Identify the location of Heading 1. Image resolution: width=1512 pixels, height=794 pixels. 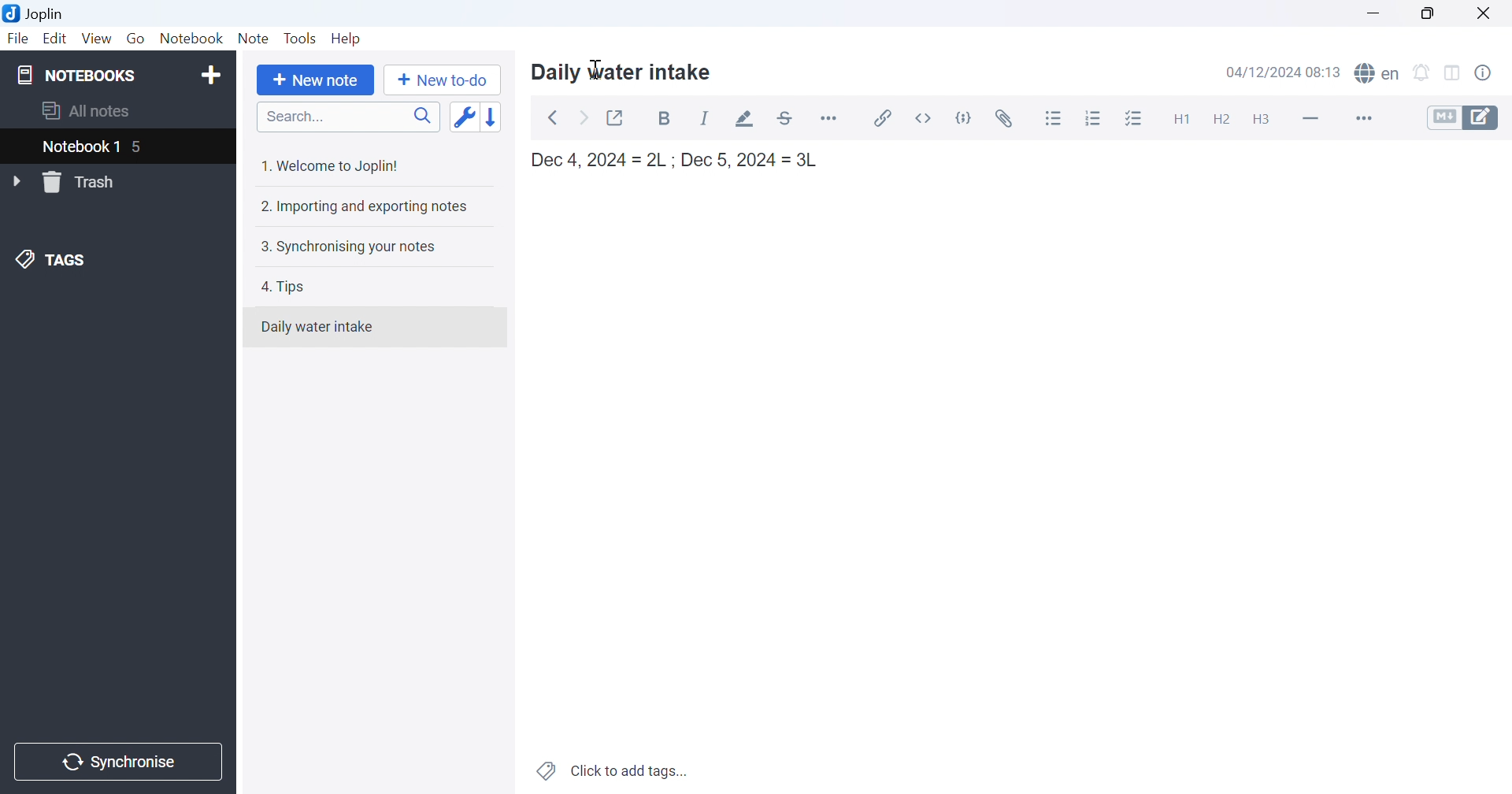
(1180, 118).